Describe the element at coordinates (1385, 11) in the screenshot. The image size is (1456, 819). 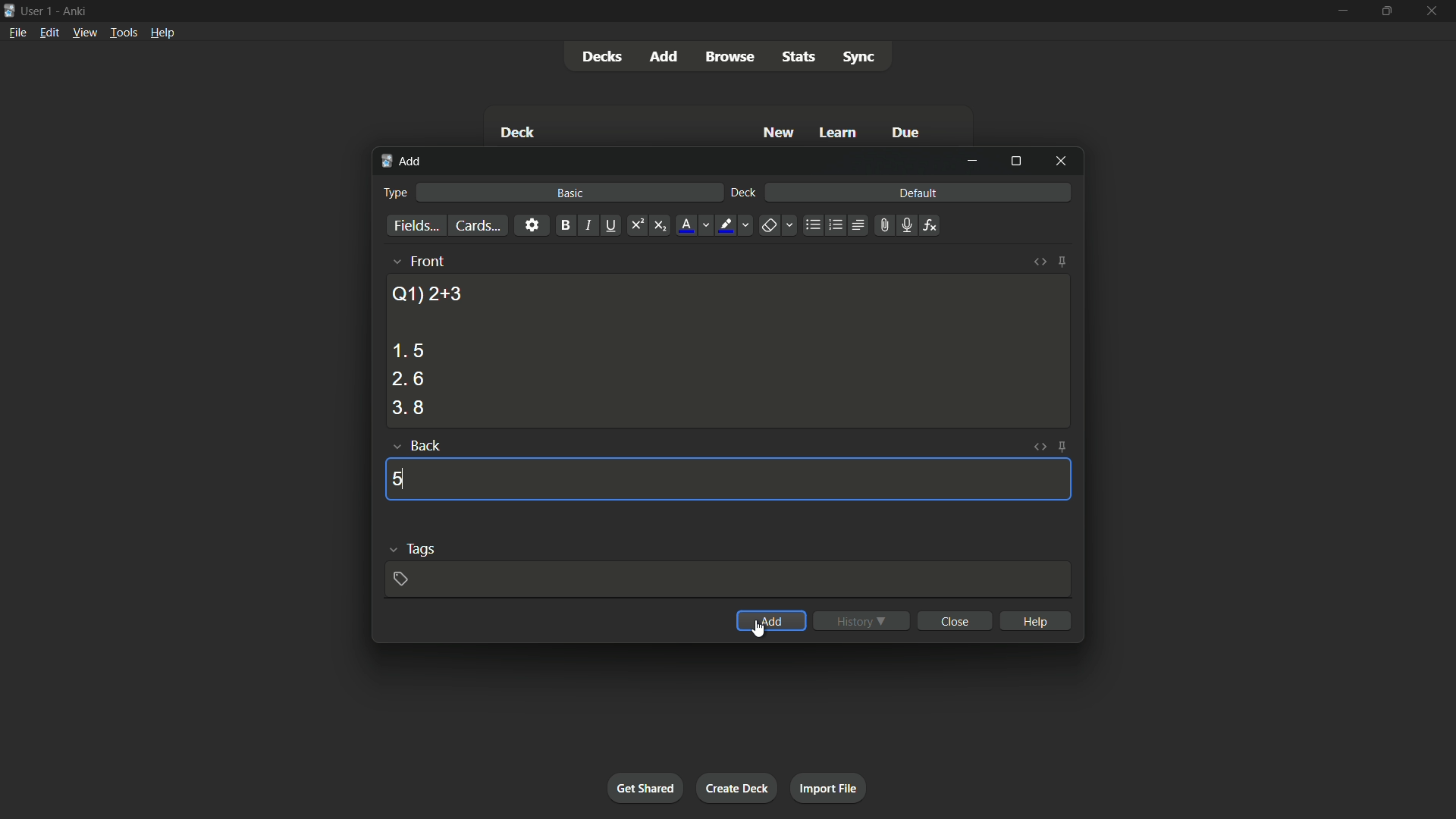
I see `maximize` at that location.